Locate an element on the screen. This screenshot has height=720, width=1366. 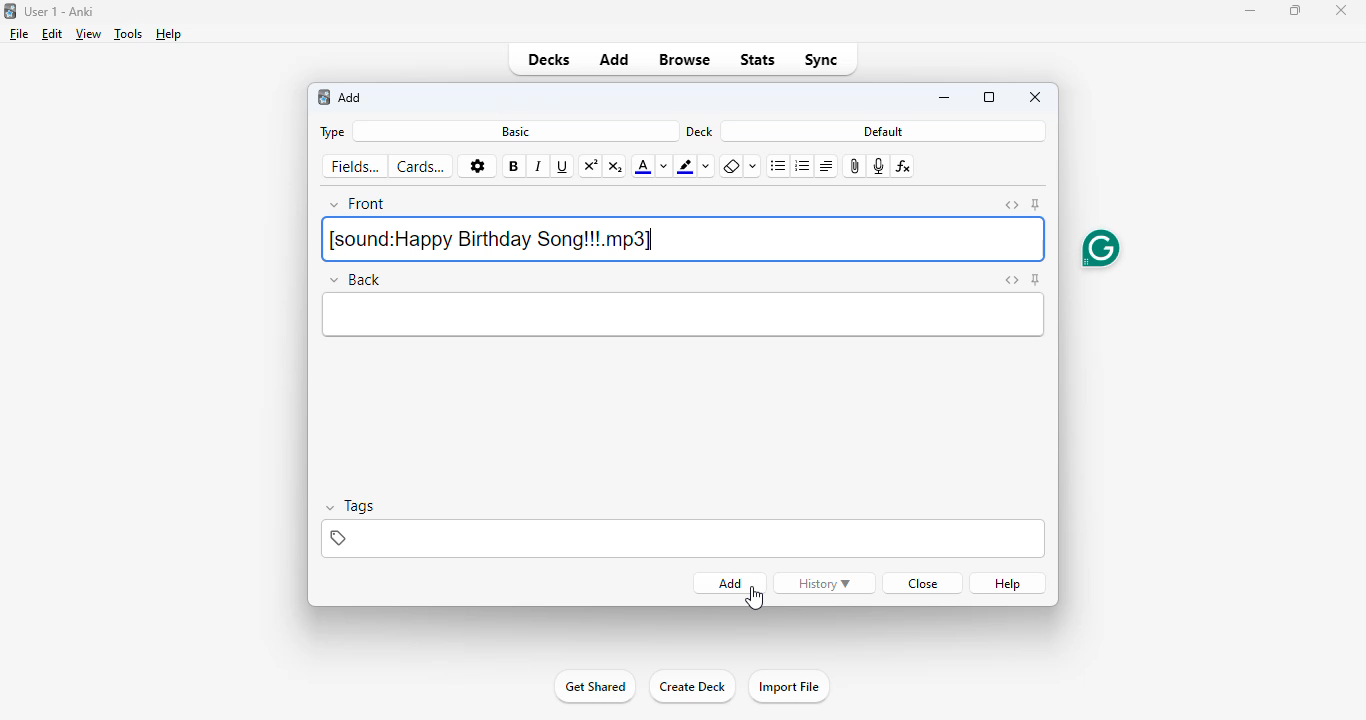
[sound: Happy Birthday Song!!!.mp3] is located at coordinates (684, 240).